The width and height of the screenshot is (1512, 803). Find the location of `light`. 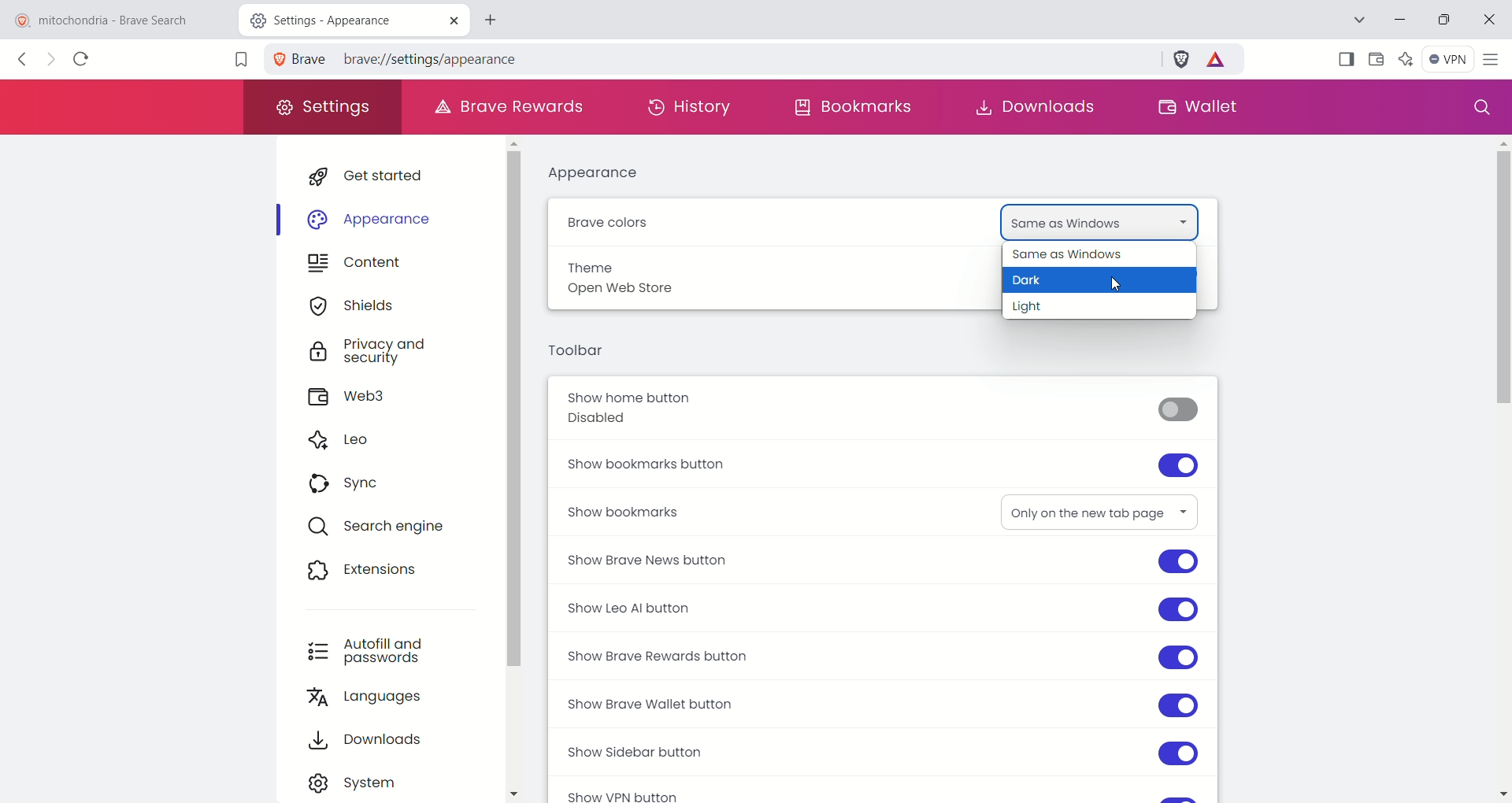

light is located at coordinates (1048, 308).